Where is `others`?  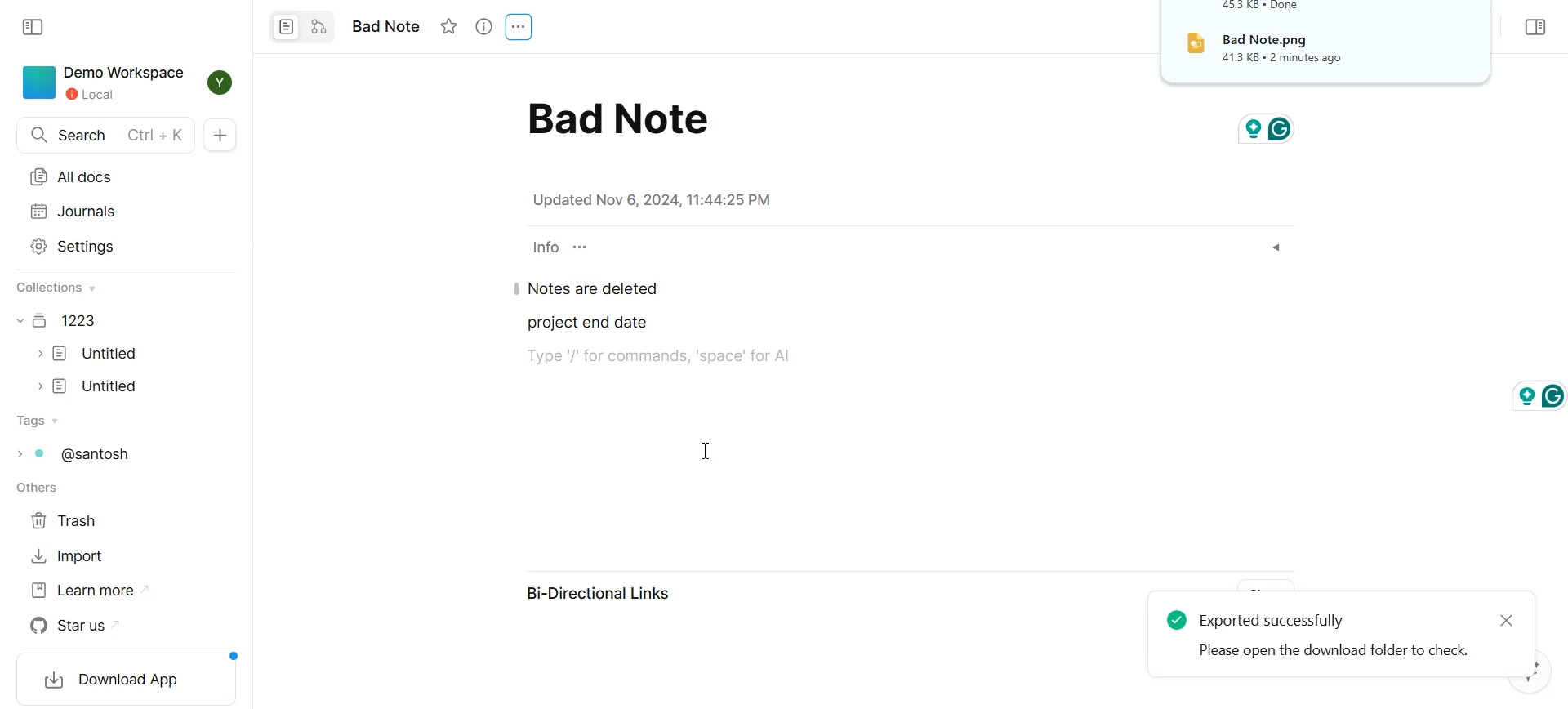 others is located at coordinates (38, 488).